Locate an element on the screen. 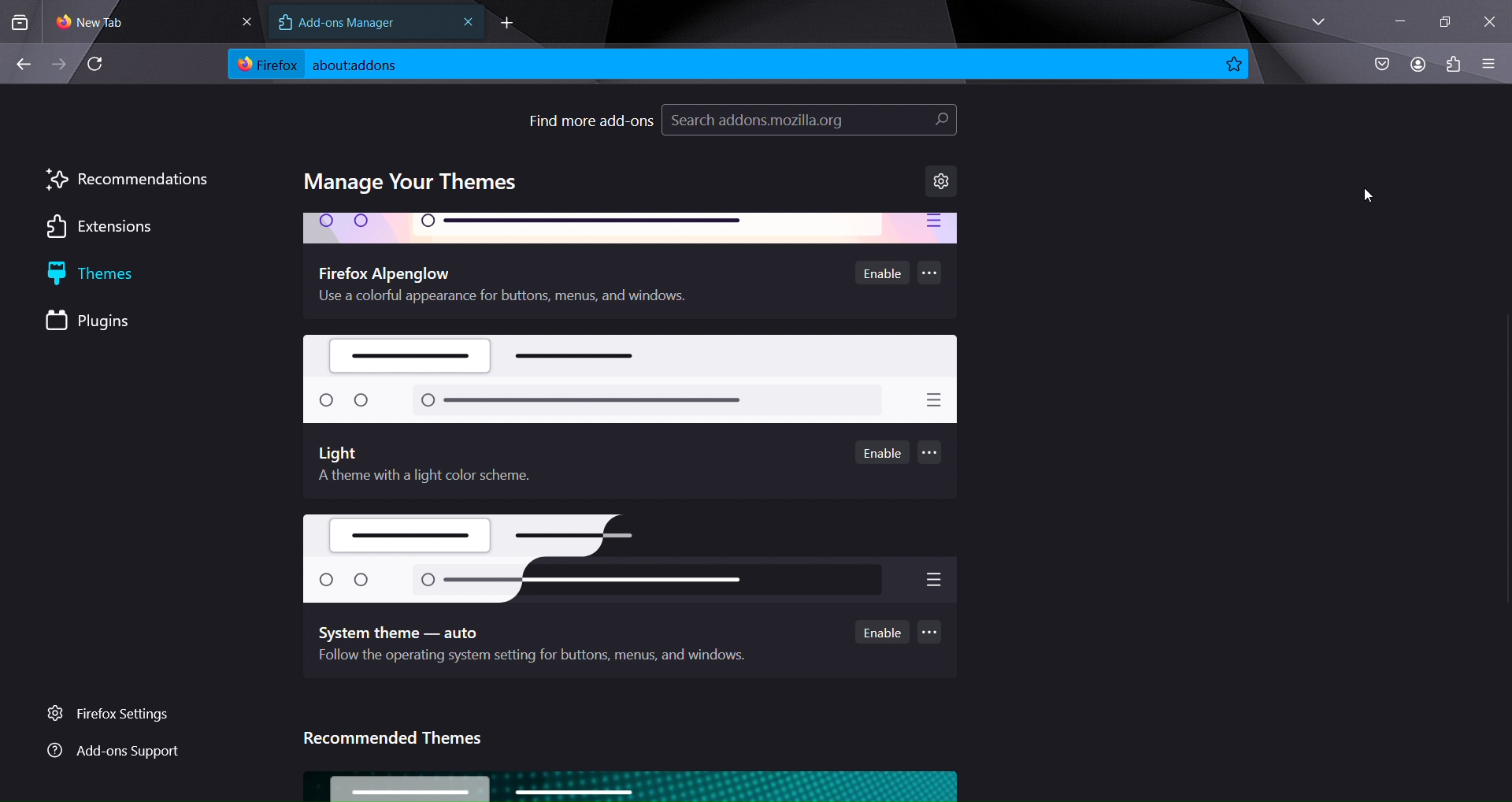 The height and width of the screenshot is (802, 1512). firefox settings is located at coordinates (120, 715).